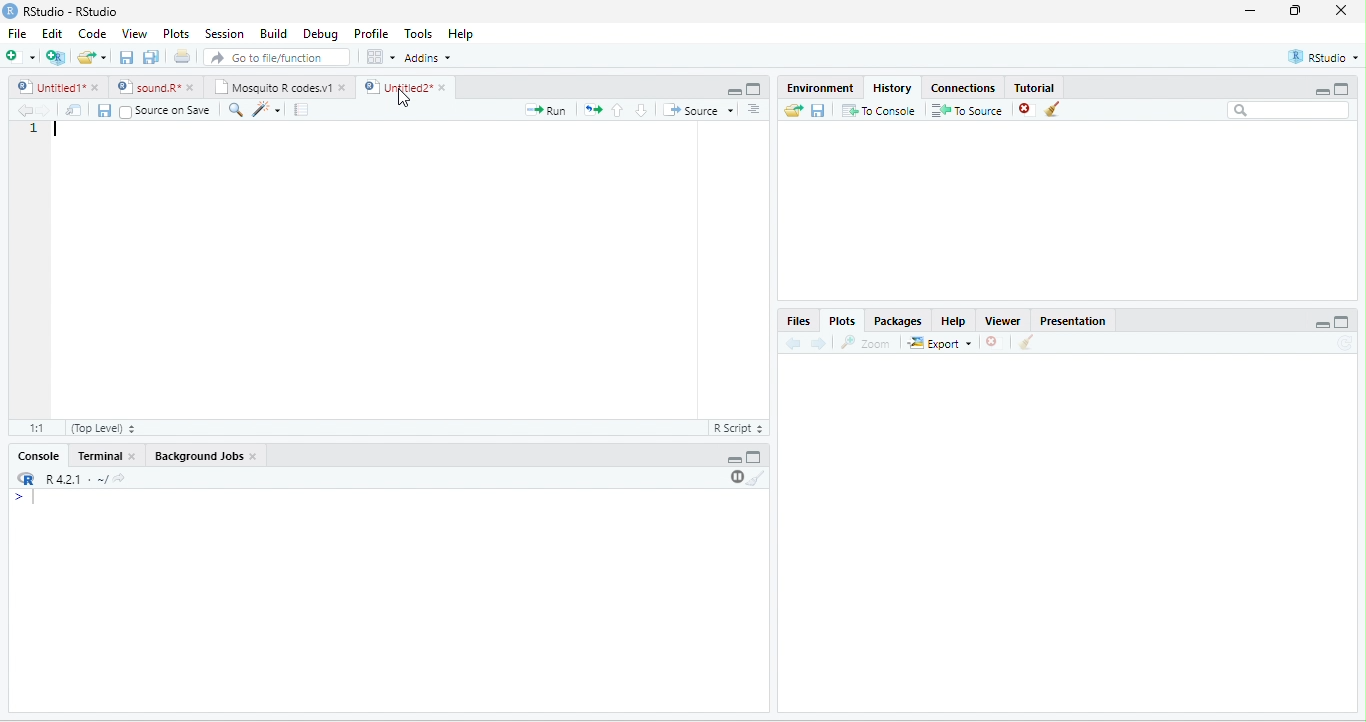 This screenshot has height=722, width=1366. I want to click on R Script, so click(737, 428).